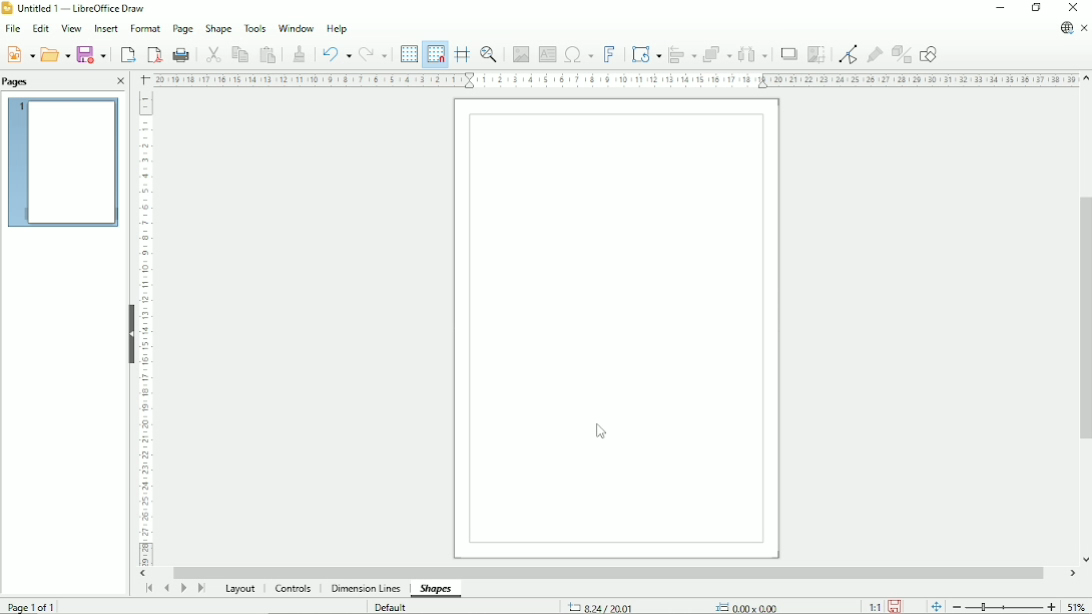  What do you see at coordinates (71, 28) in the screenshot?
I see `View` at bounding box center [71, 28].